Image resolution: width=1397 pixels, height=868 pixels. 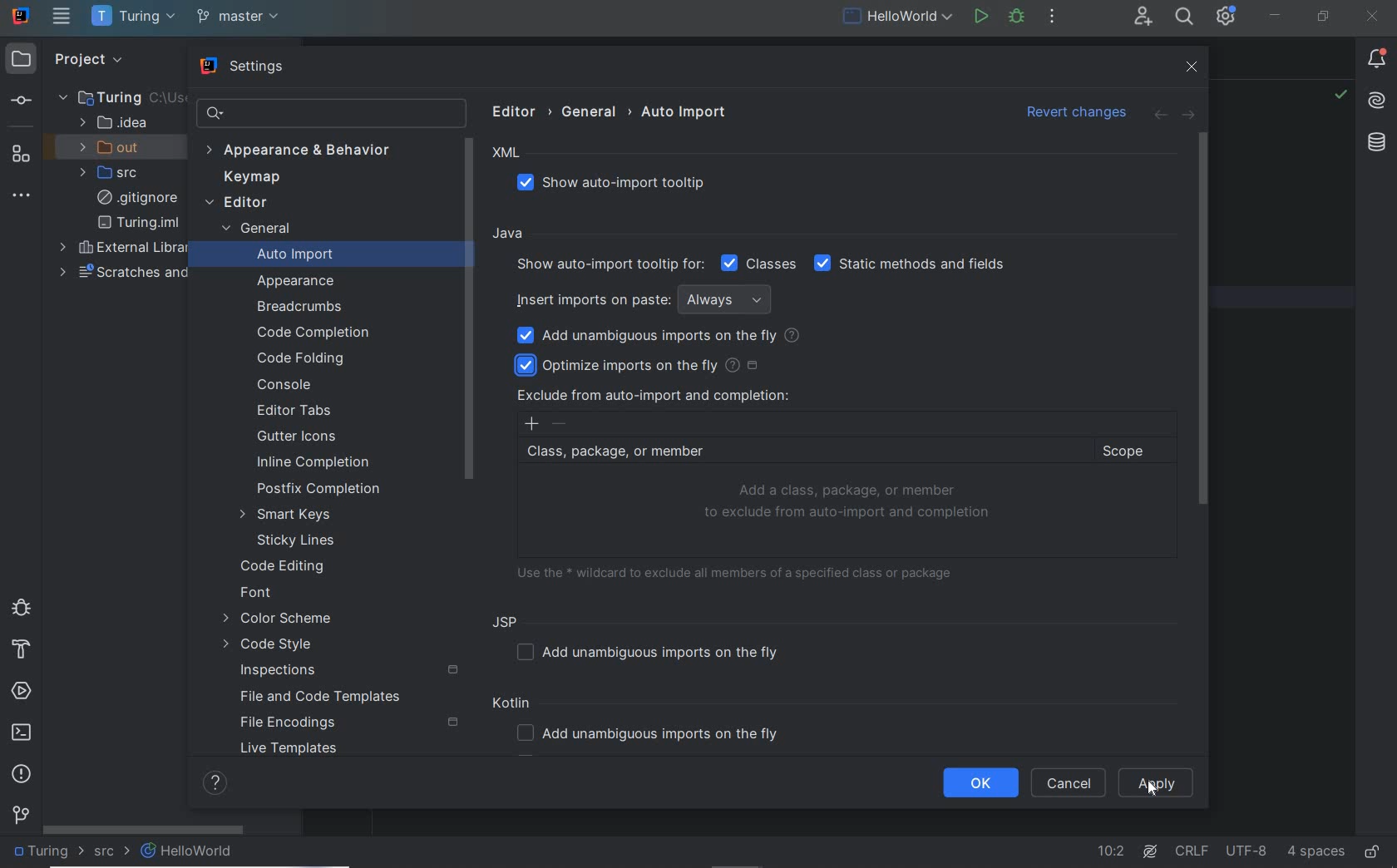 What do you see at coordinates (801, 452) in the screenshot?
I see `CLASS, PACKAGE, OR MEMBER` at bounding box center [801, 452].